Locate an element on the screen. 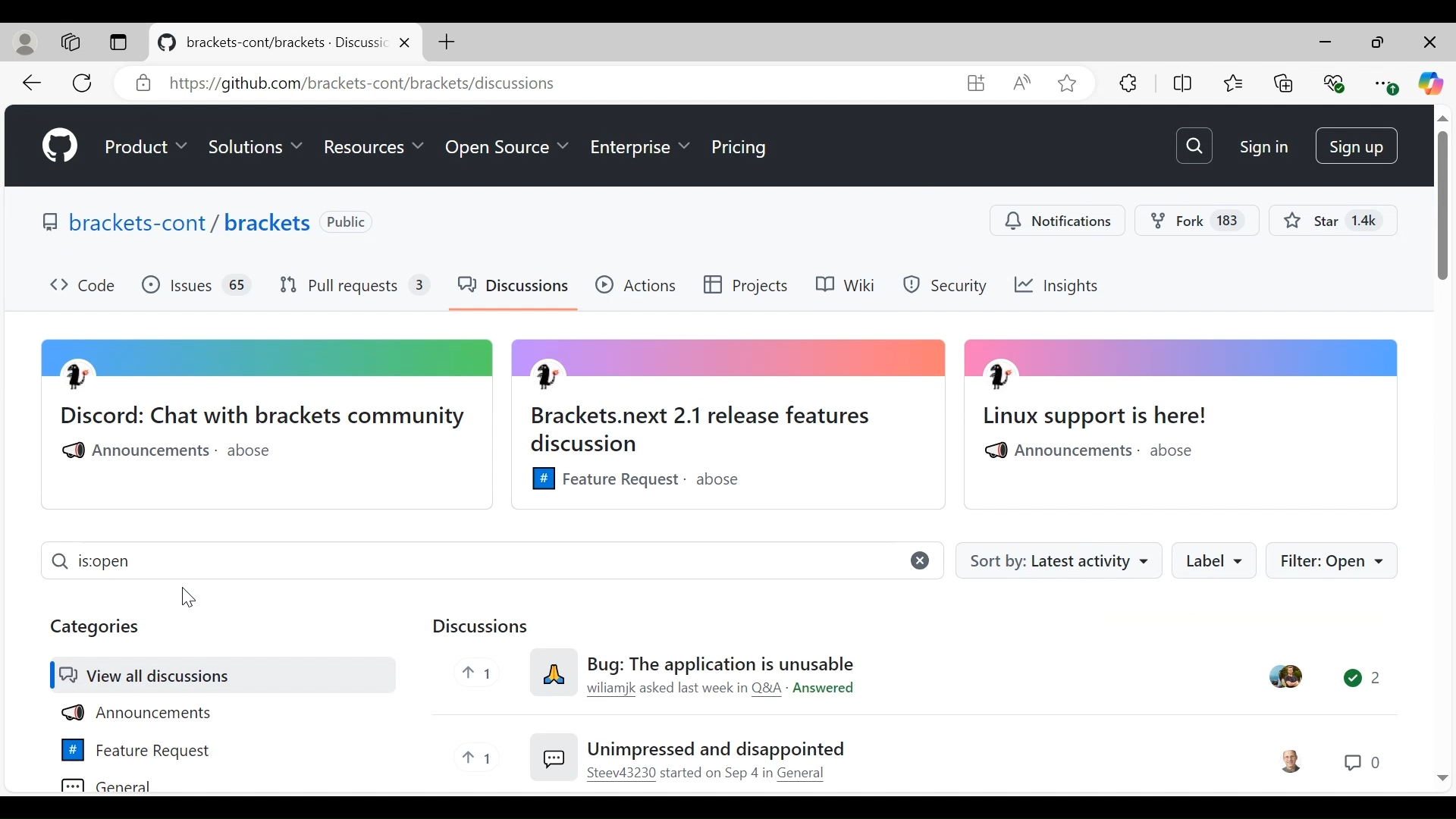 This screenshot has width=1456, height=819. minimize is located at coordinates (1326, 42).